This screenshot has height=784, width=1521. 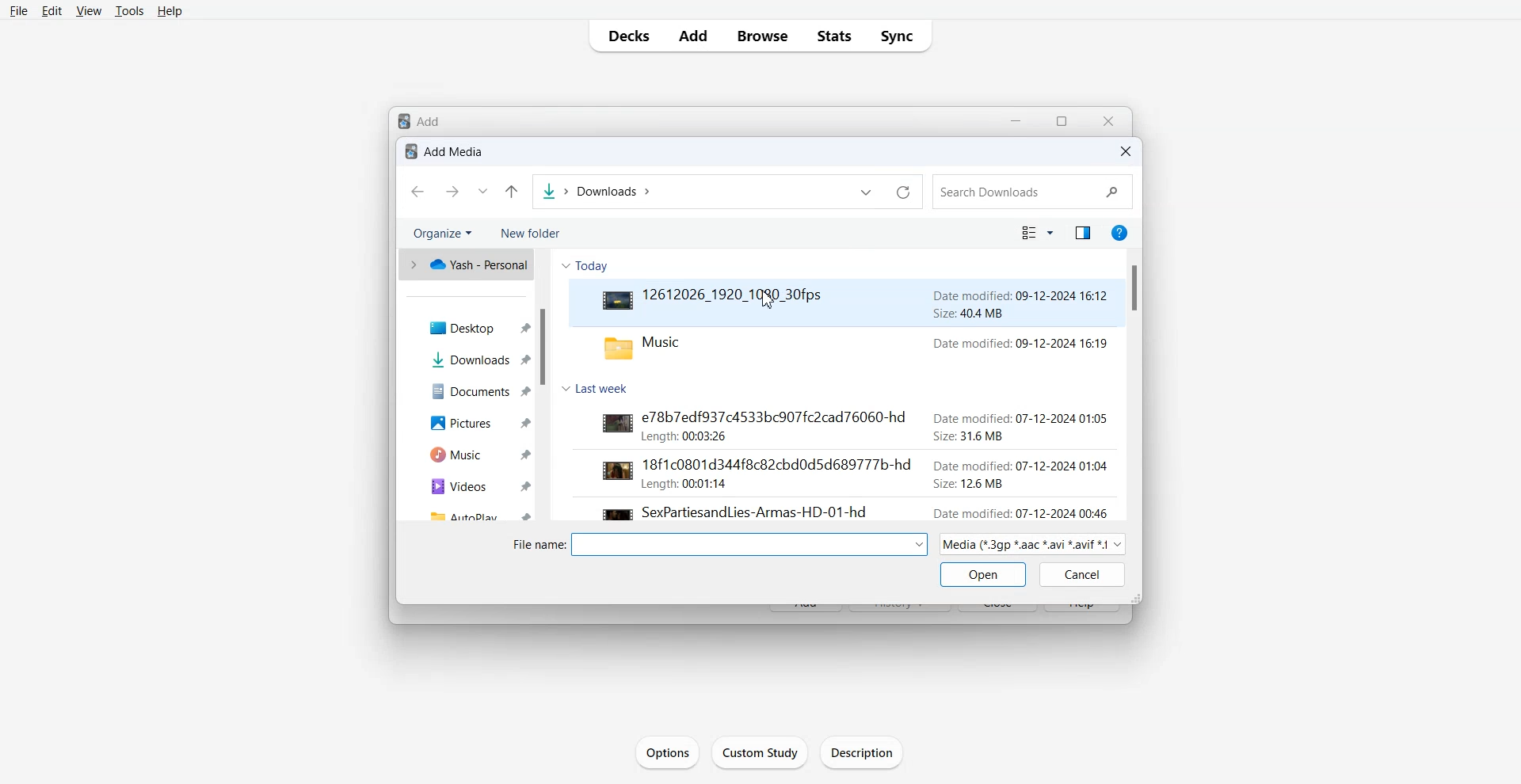 What do you see at coordinates (760, 752) in the screenshot?
I see `Custom Study` at bounding box center [760, 752].